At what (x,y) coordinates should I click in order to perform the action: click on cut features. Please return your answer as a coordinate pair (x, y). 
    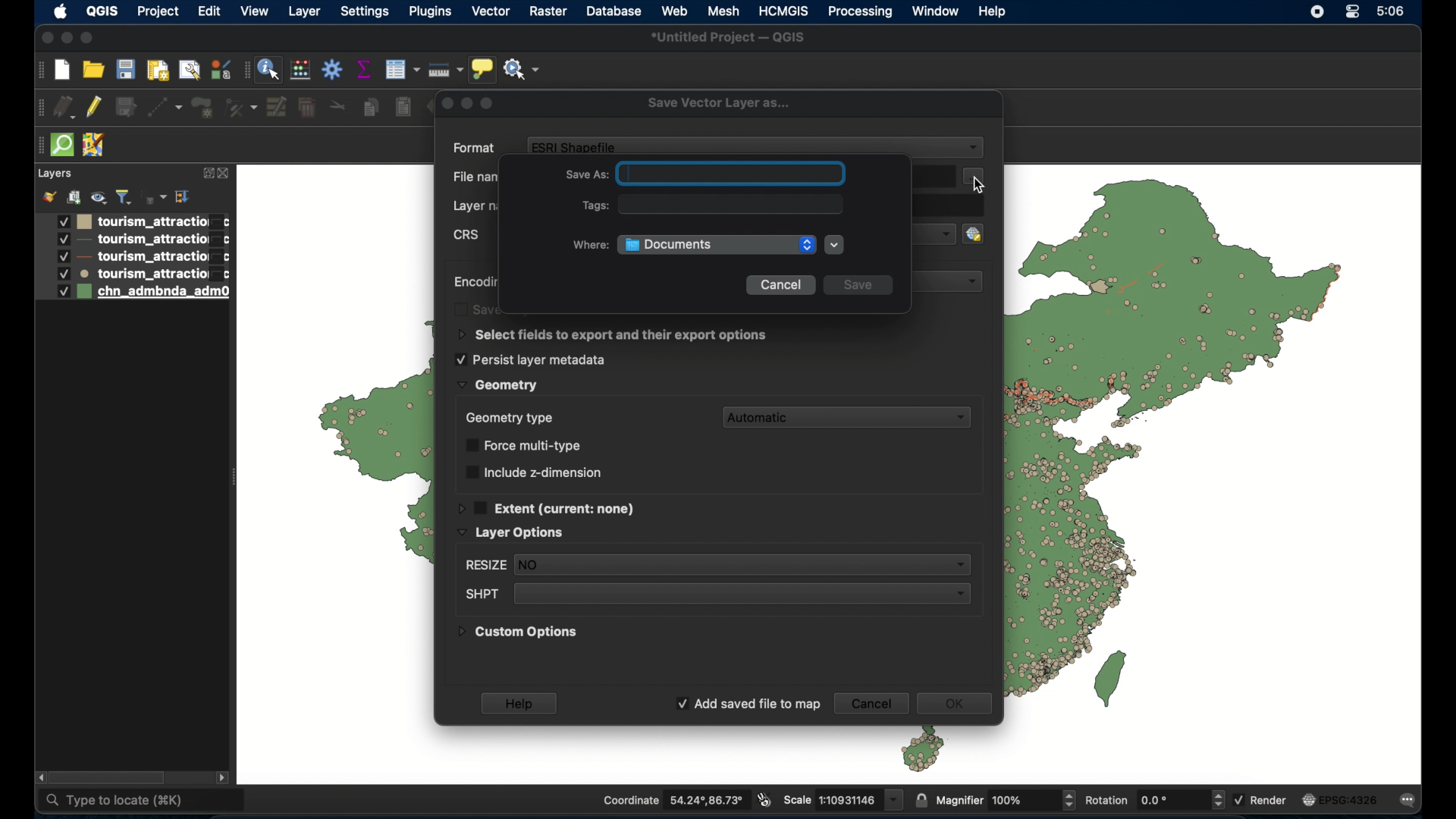
    Looking at the image, I should click on (340, 105).